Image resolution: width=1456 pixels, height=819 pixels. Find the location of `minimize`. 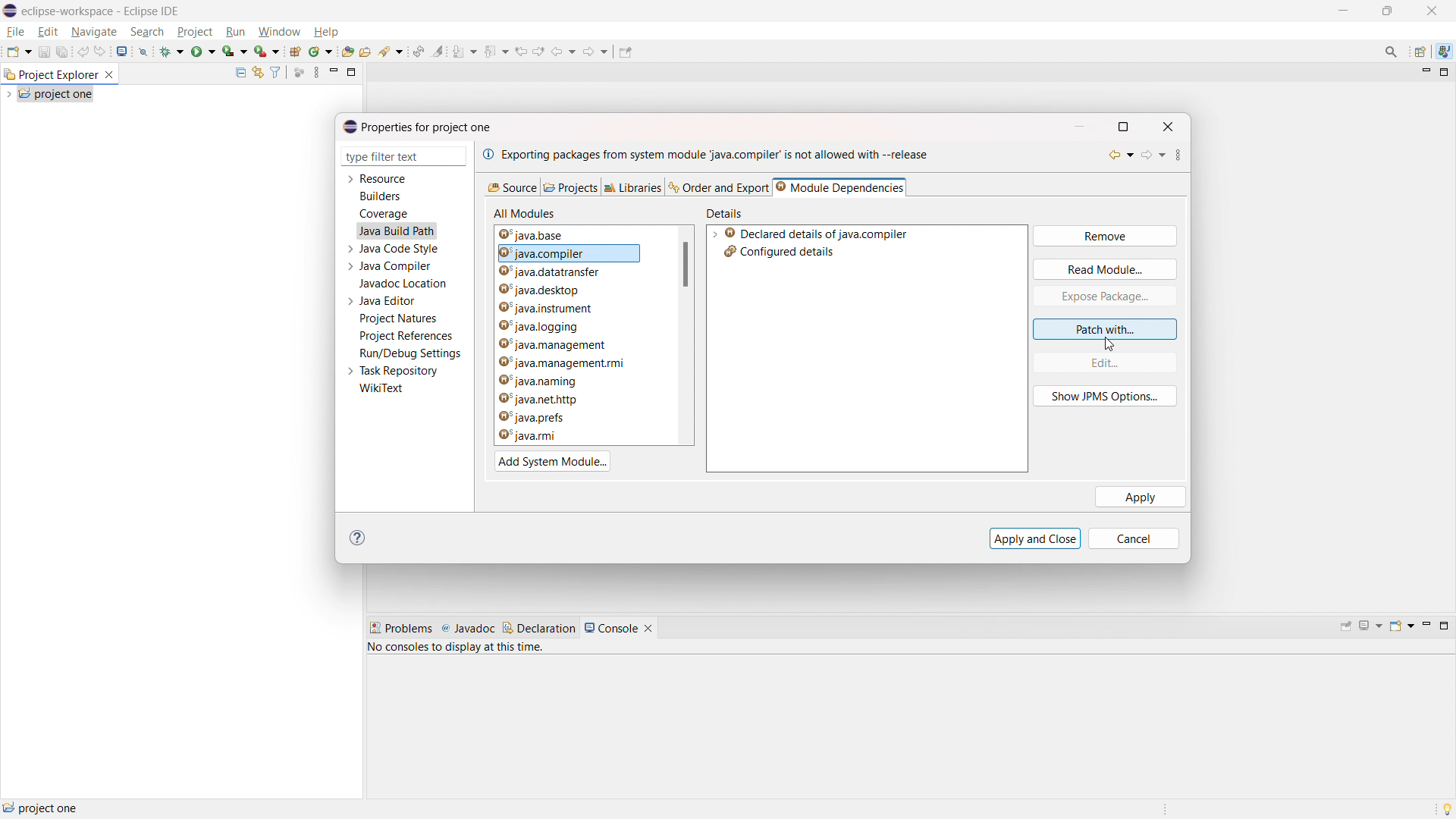

minimize is located at coordinates (334, 72).